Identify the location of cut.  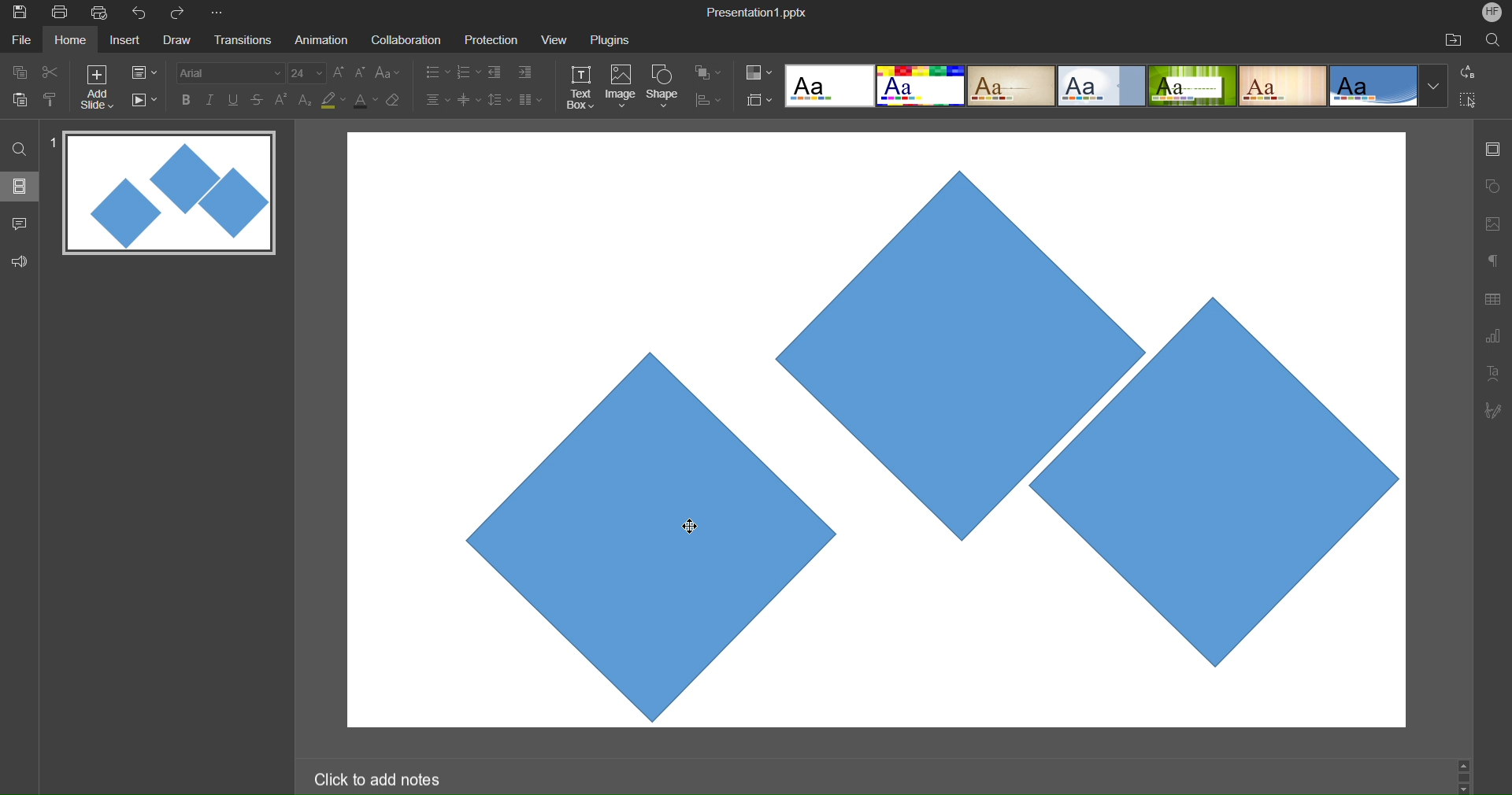
(50, 71).